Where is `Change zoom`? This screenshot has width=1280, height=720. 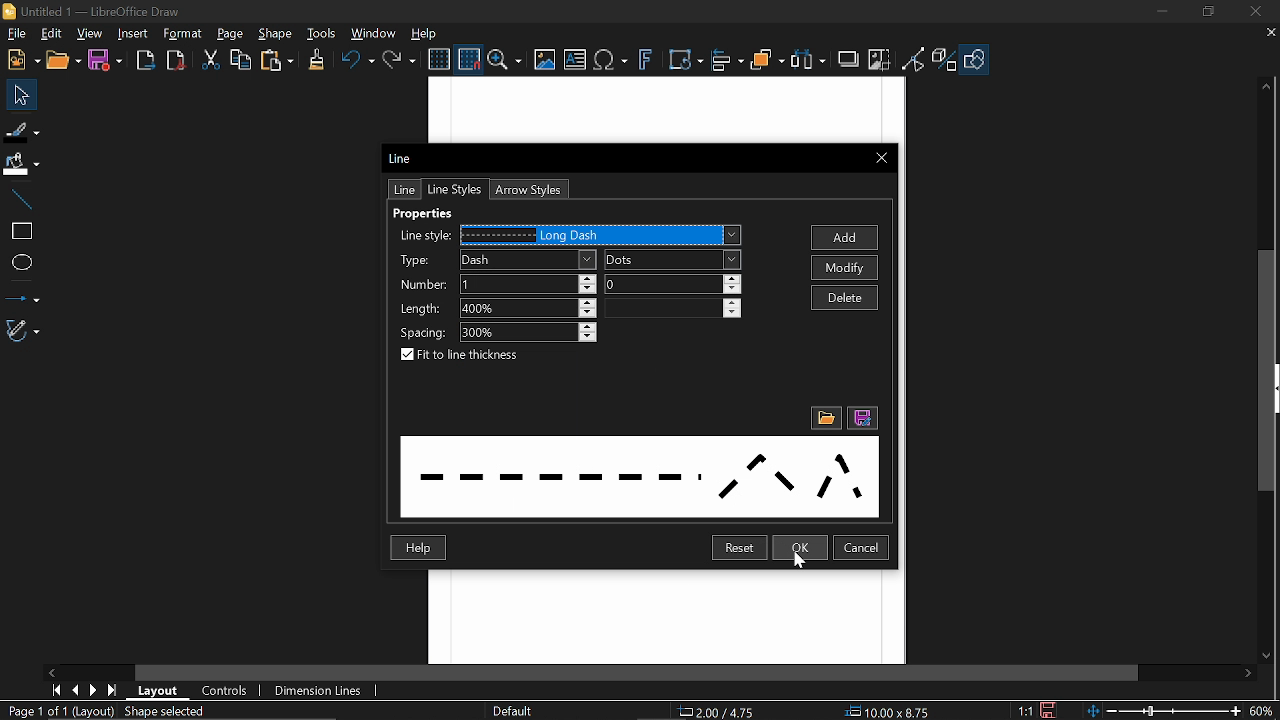
Change zoom is located at coordinates (1159, 711).